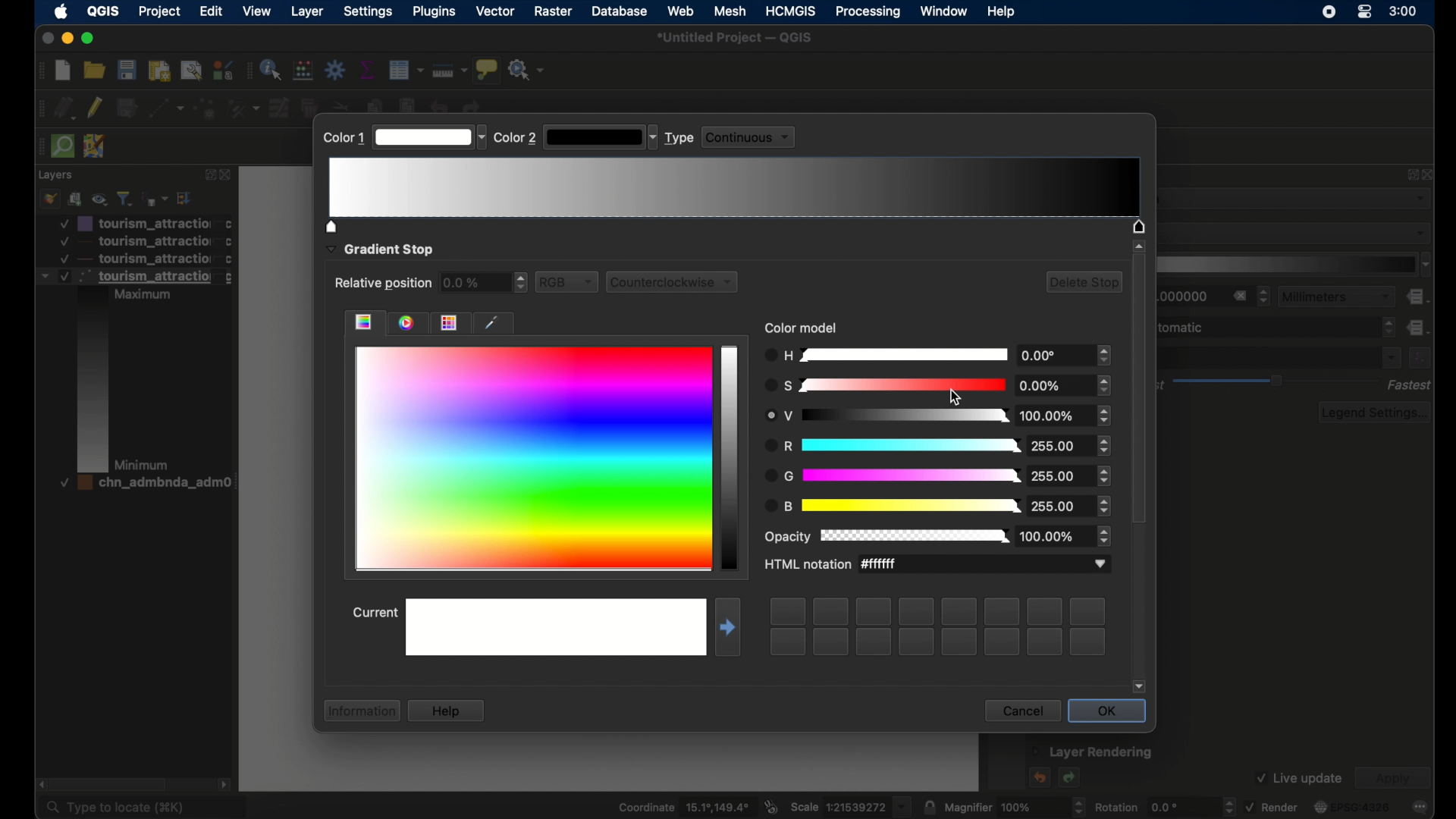 The width and height of the screenshot is (1456, 819). What do you see at coordinates (1335, 296) in the screenshot?
I see `milimeters` at bounding box center [1335, 296].